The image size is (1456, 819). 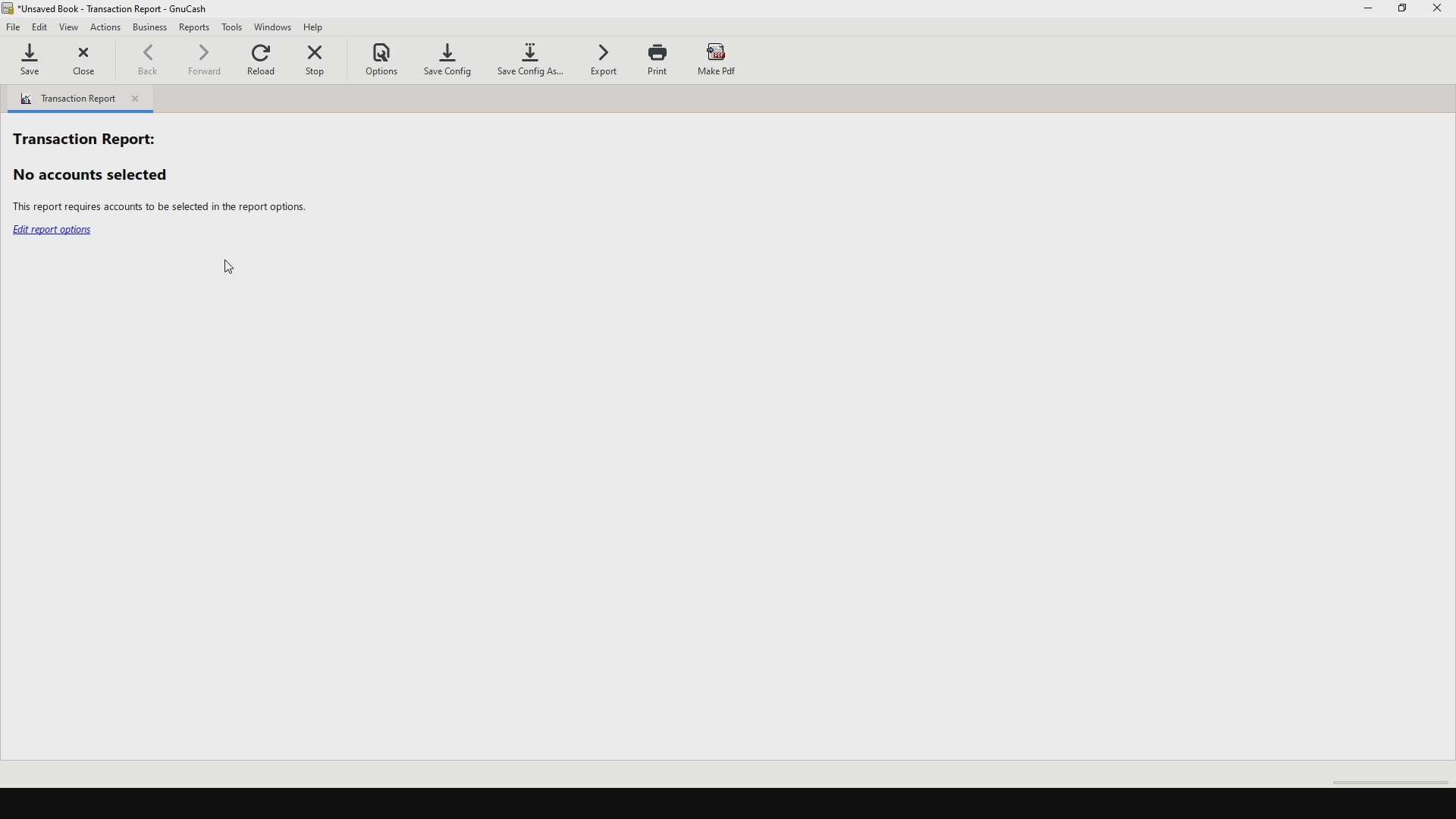 I want to click on edit report options, so click(x=55, y=232).